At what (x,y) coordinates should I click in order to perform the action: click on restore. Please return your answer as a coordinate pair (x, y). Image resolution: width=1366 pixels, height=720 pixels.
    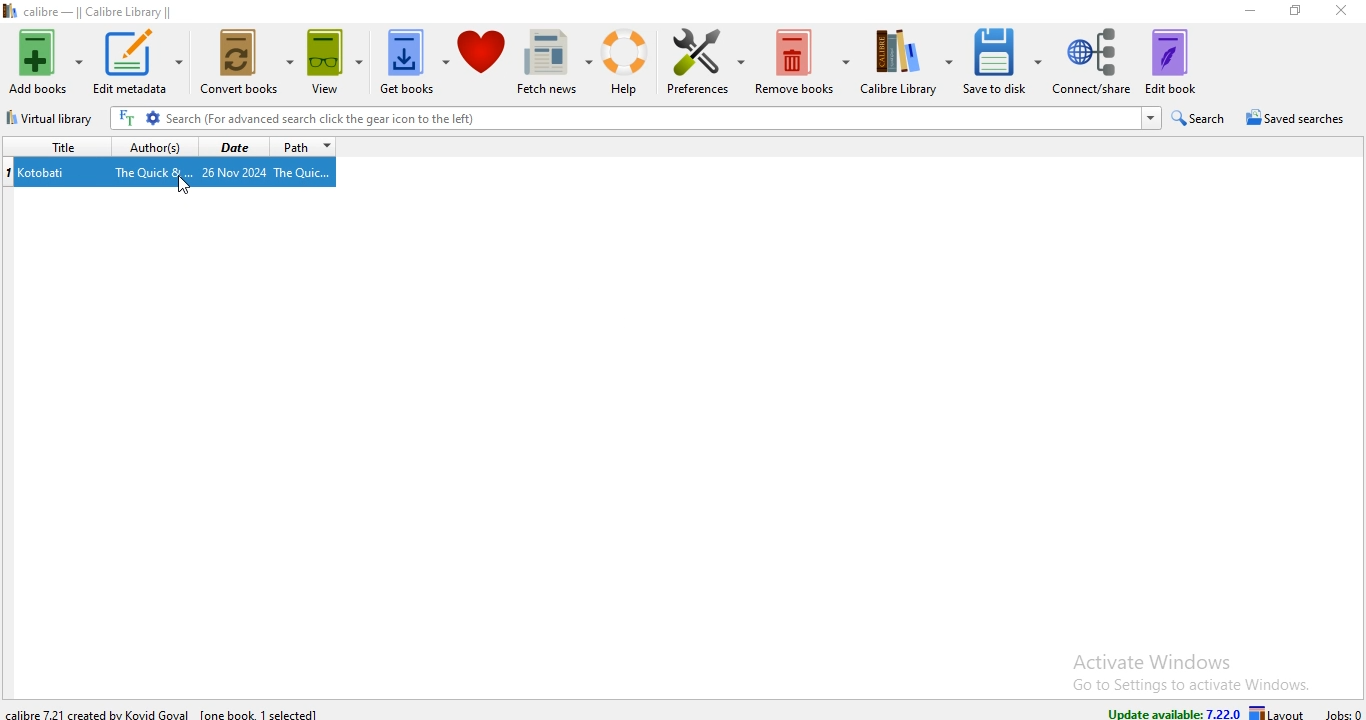
    Looking at the image, I should click on (1292, 10).